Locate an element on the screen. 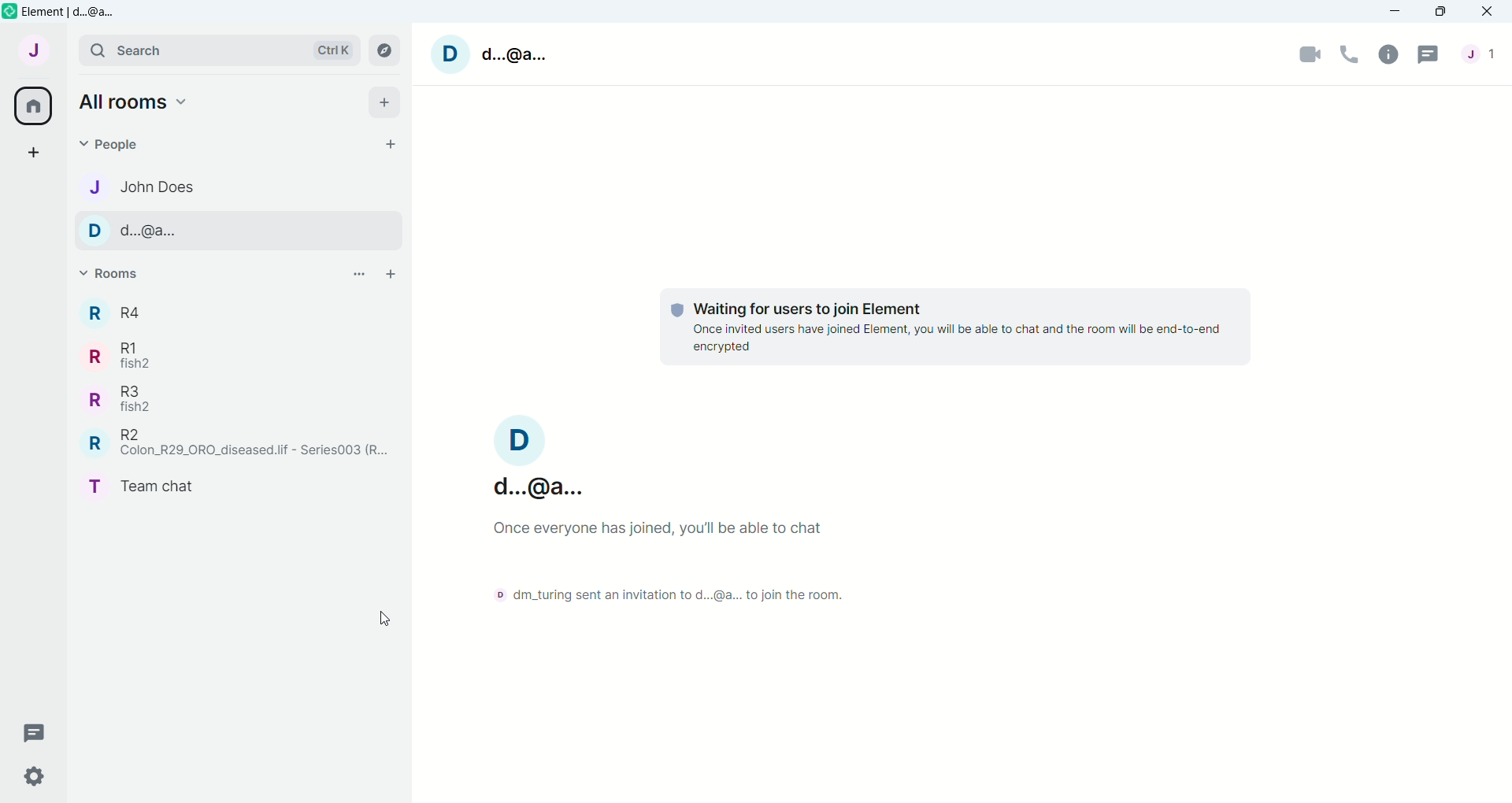 The width and height of the screenshot is (1512, 803). Start chat is located at coordinates (391, 143).